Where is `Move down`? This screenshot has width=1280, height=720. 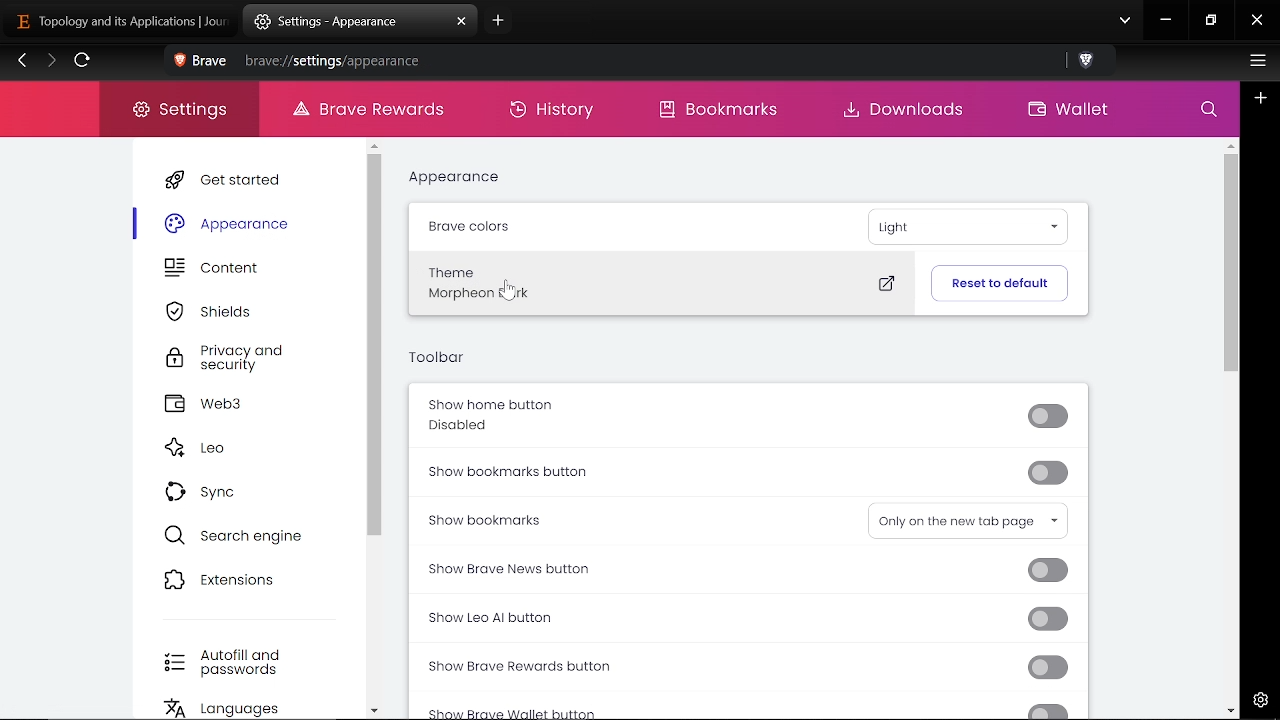
Move down is located at coordinates (374, 710).